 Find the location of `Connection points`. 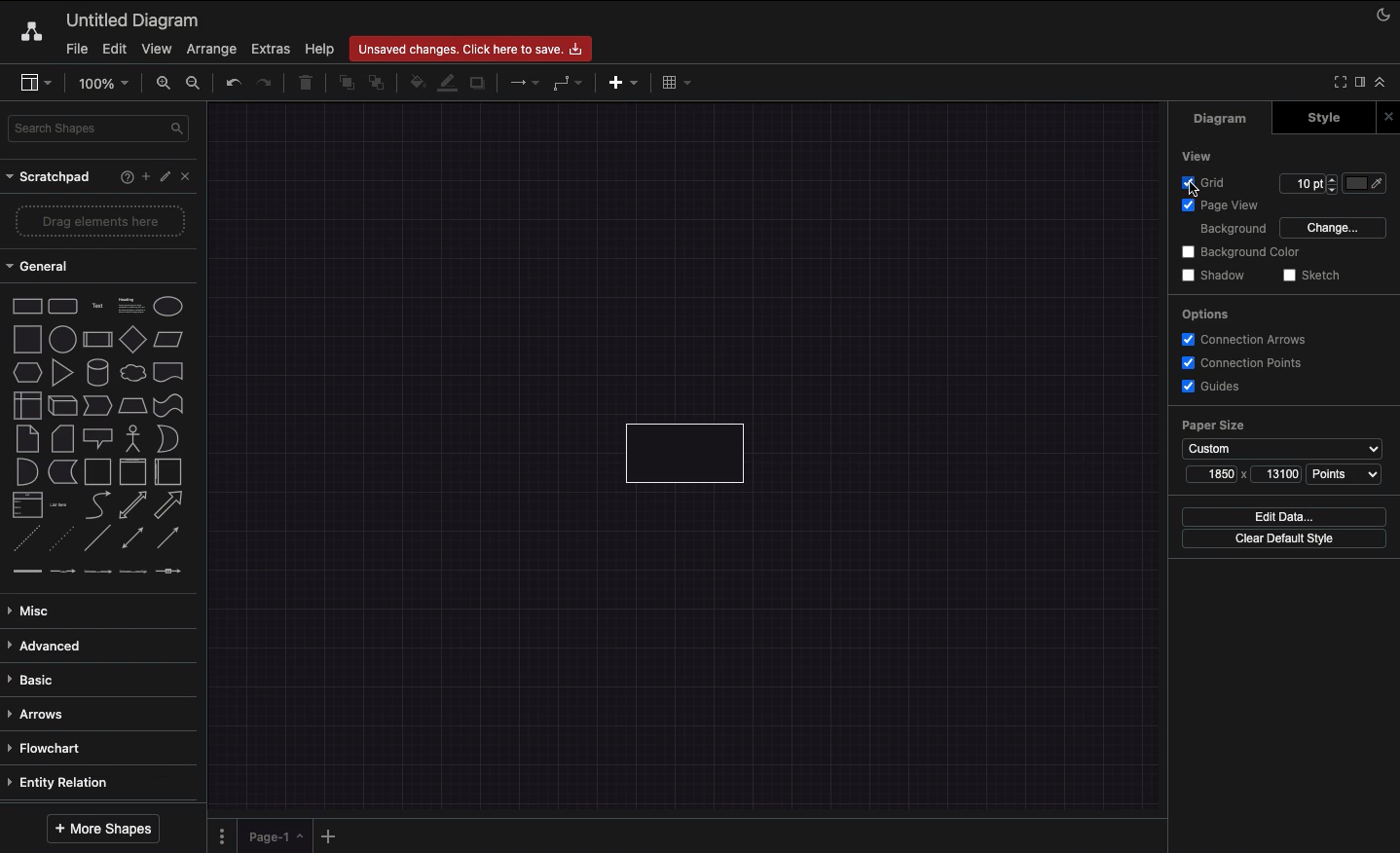

Connection points is located at coordinates (1237, 364).